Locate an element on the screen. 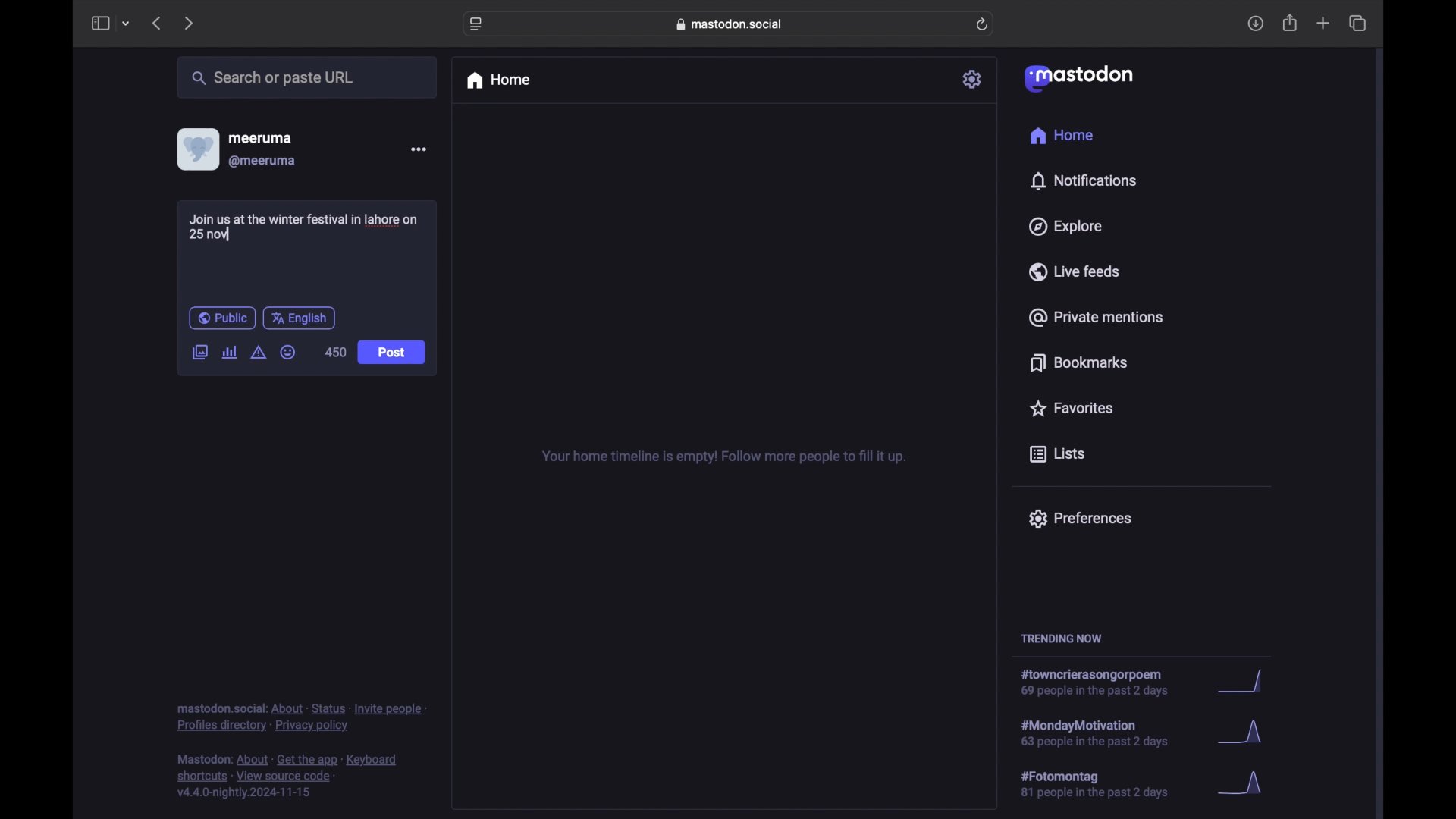 This screenshot has width=1456, height=819. Post is located at coordinates (393, 353).